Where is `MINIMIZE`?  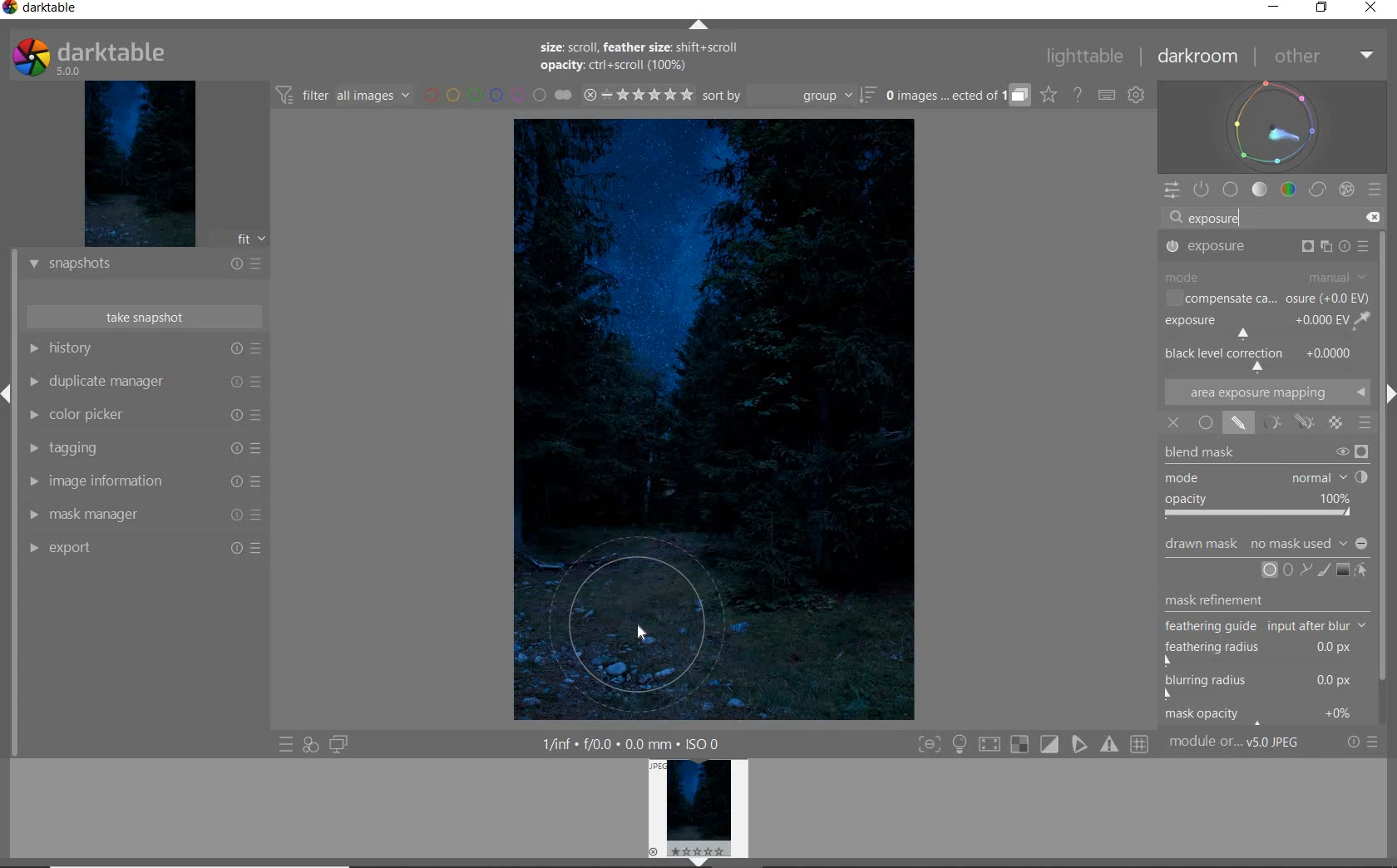
MINIMIZE is located at coordinates (1275, 7).